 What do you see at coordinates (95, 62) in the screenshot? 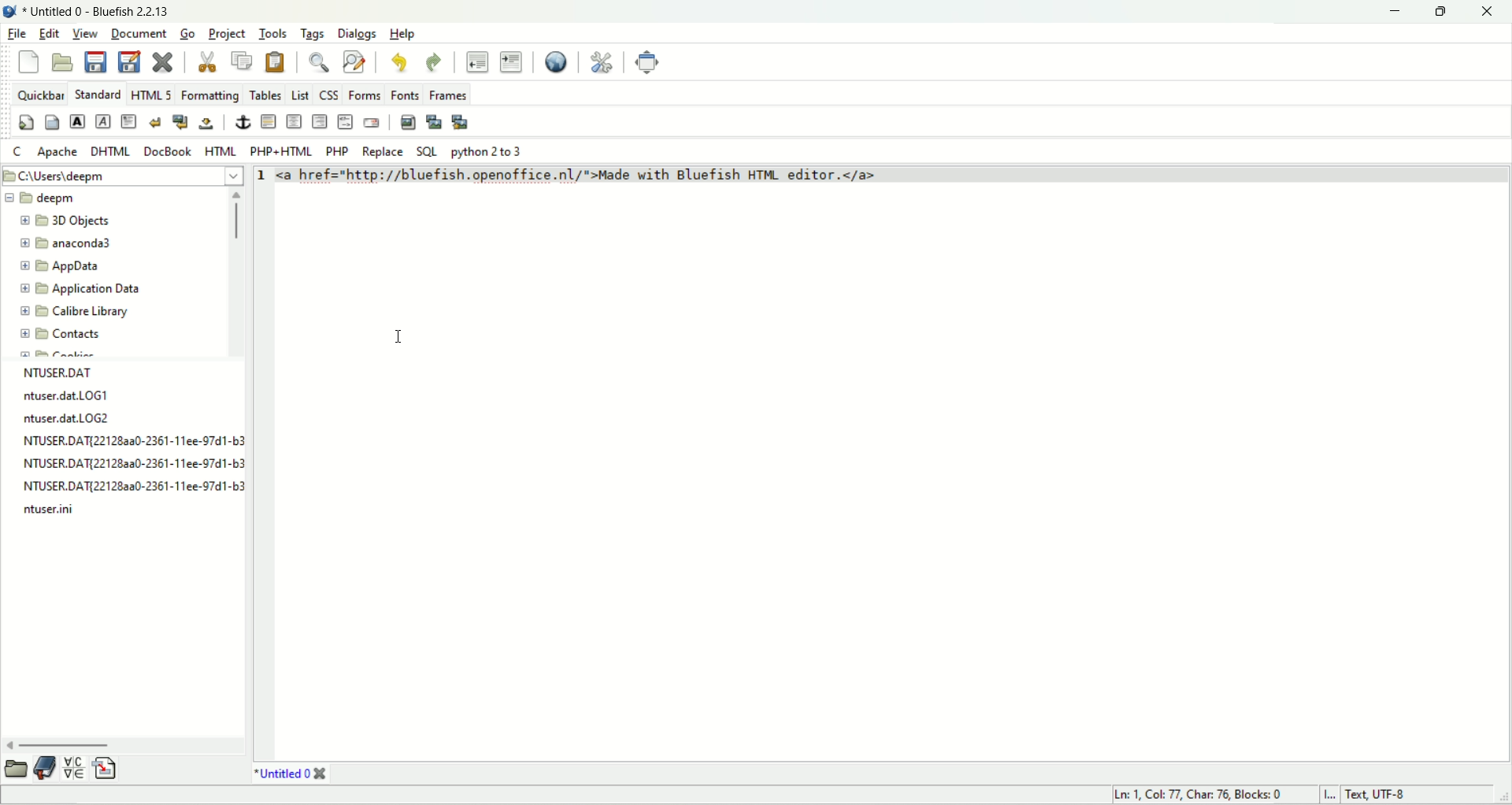
I see `save current file` at bounding box center [95, 62].